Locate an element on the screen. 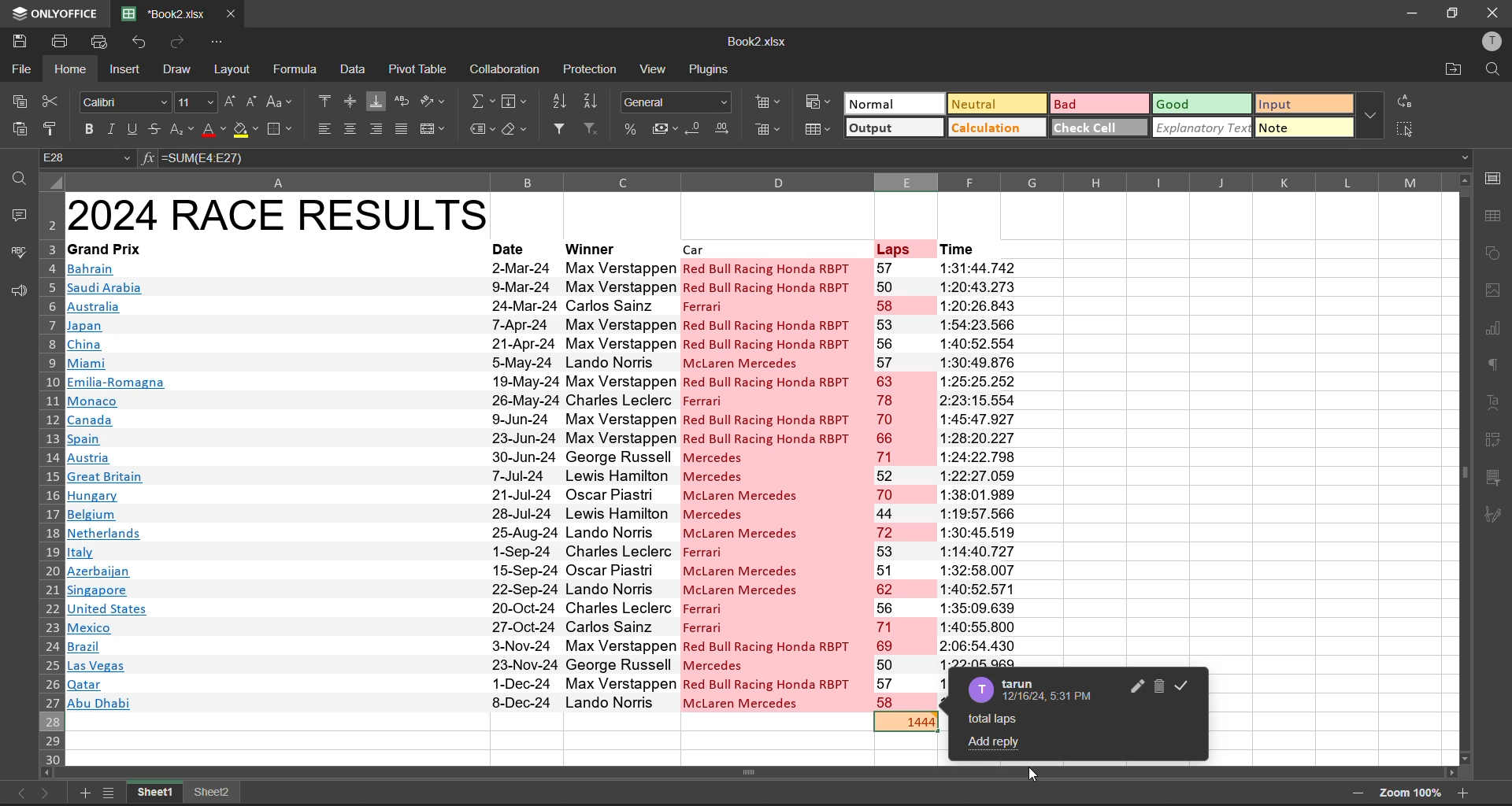  calculation is located at coordinates (998, 128).